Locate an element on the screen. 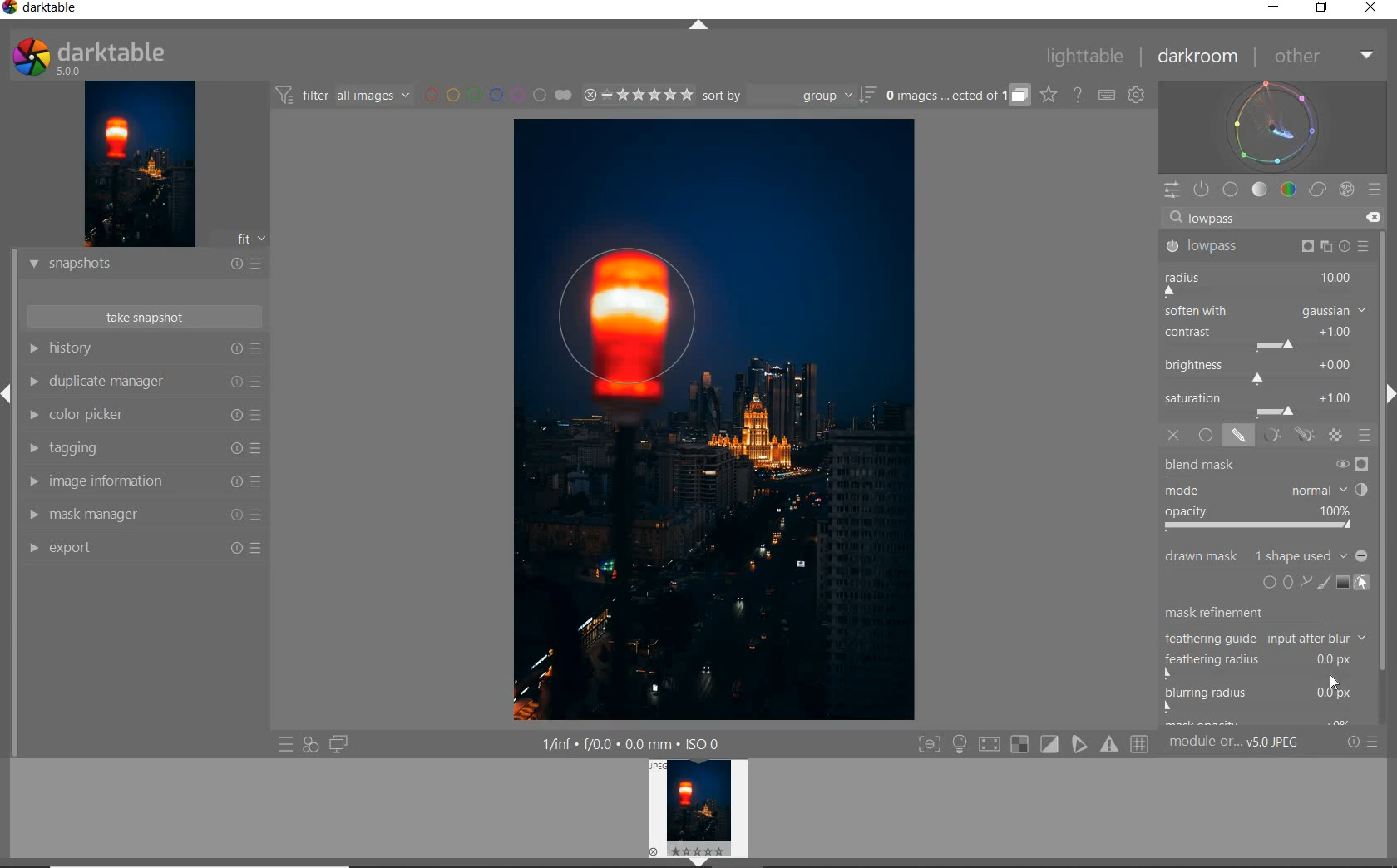  EXPAND GROUPED IMAGES is located at coordinates (955, 96).